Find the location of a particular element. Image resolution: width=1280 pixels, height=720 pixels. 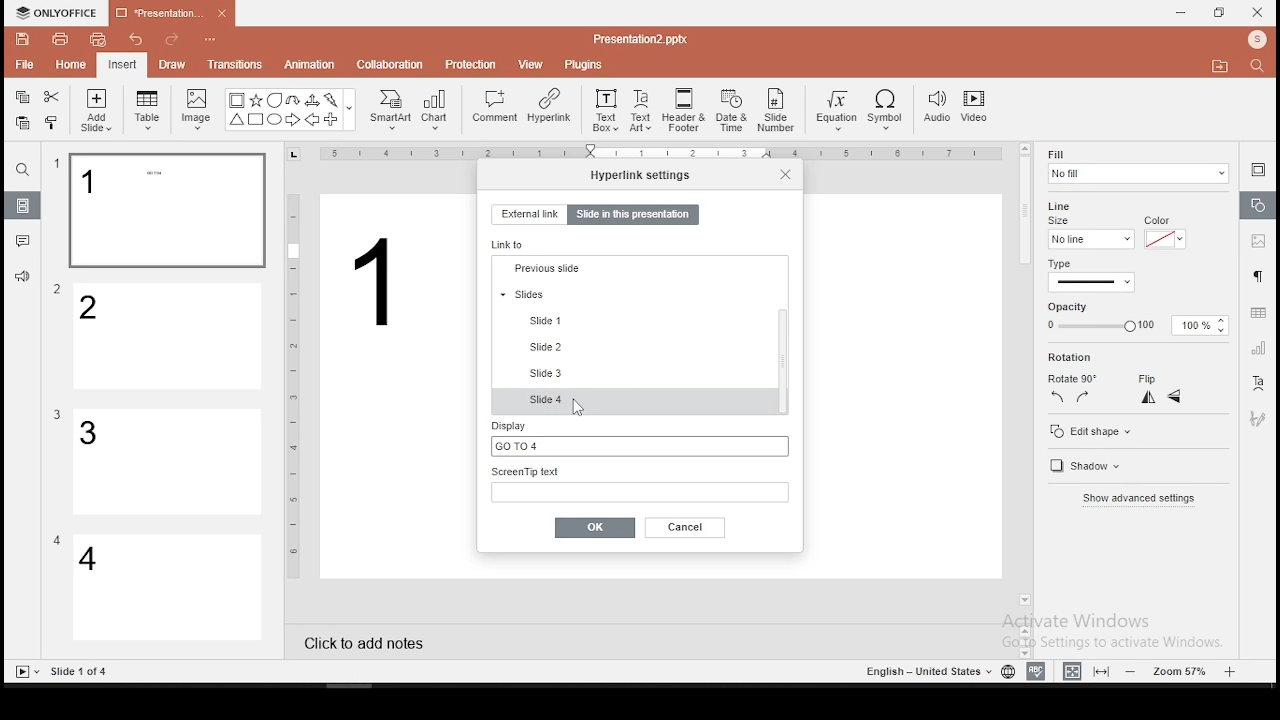

Flash is located at coordinates (333, 100).